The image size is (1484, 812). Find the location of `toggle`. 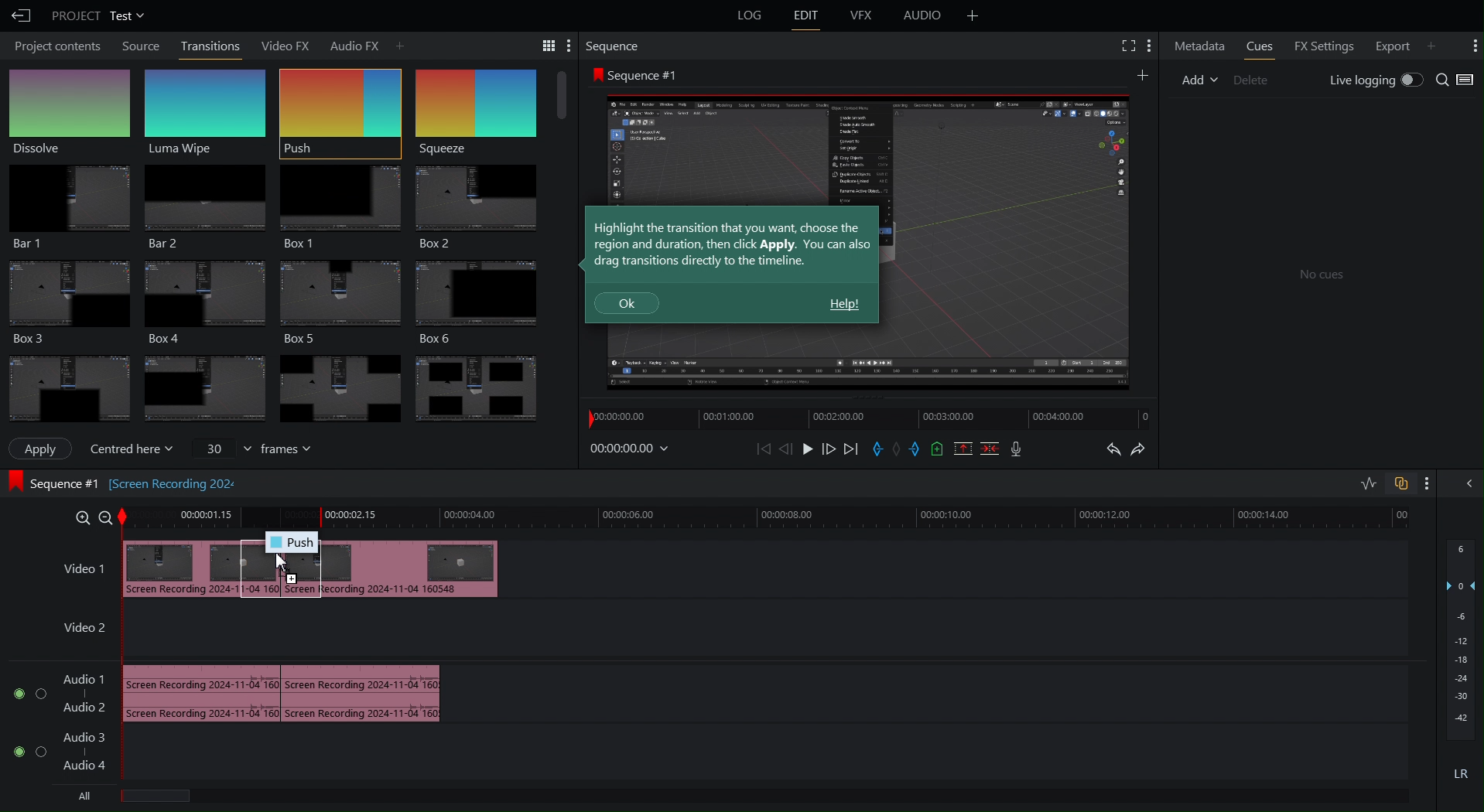

toggle is located at coordinates (13, 750).